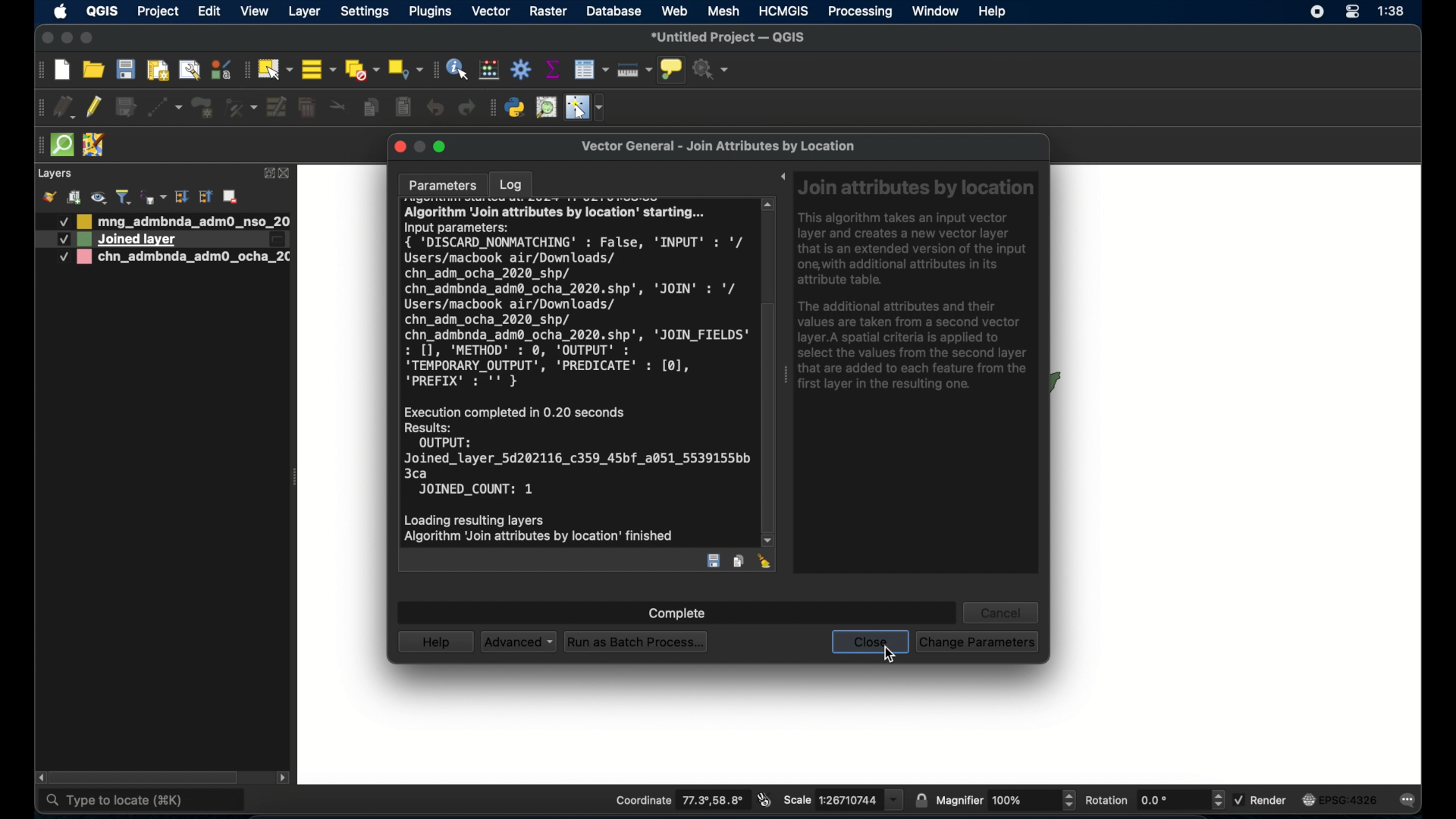 The width and height of the screenshot is (1456, 819). I want to click on rotation, so click(1155, 800).